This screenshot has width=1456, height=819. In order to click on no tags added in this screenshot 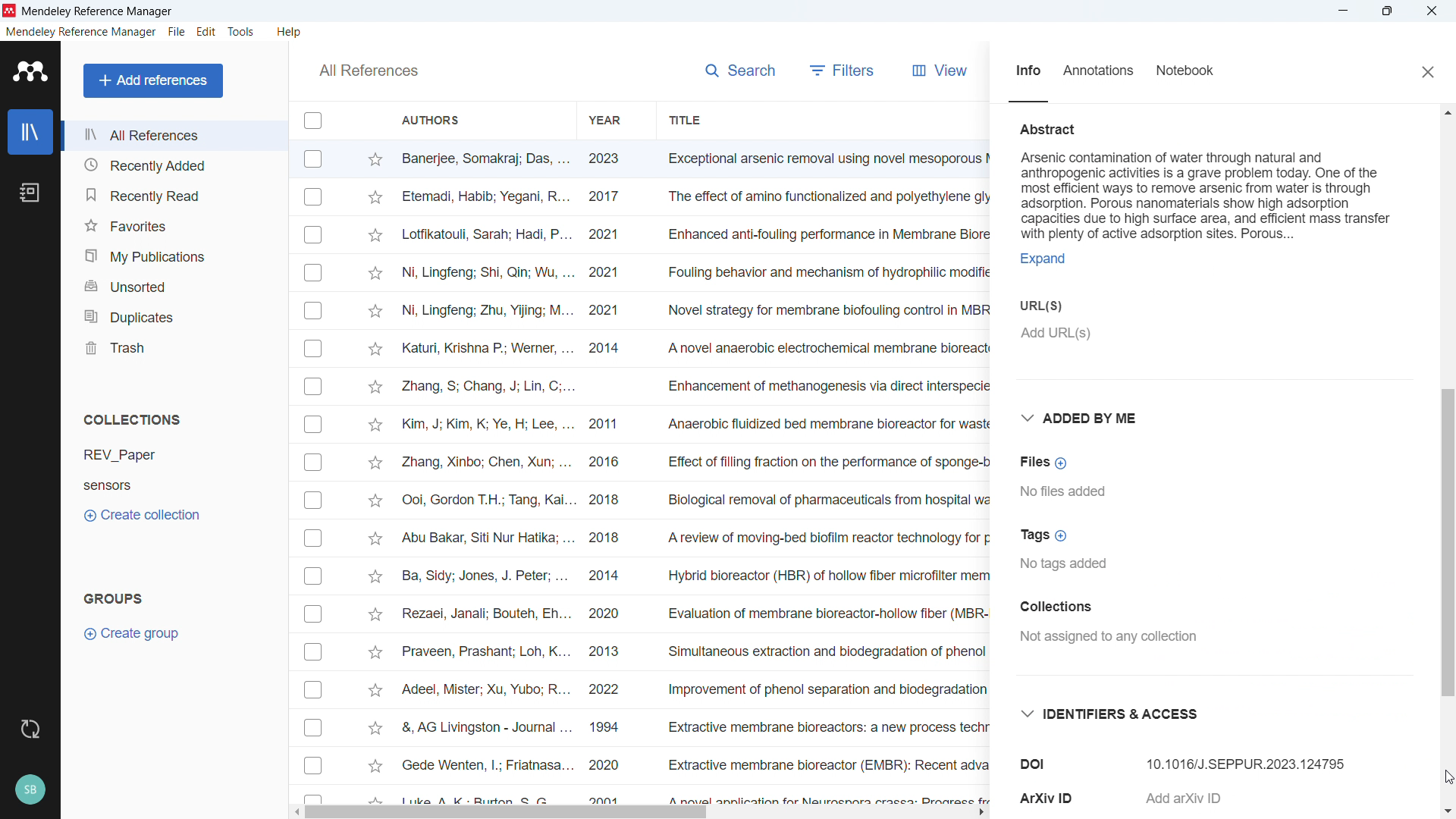, I will do `click(1068, 565)`.